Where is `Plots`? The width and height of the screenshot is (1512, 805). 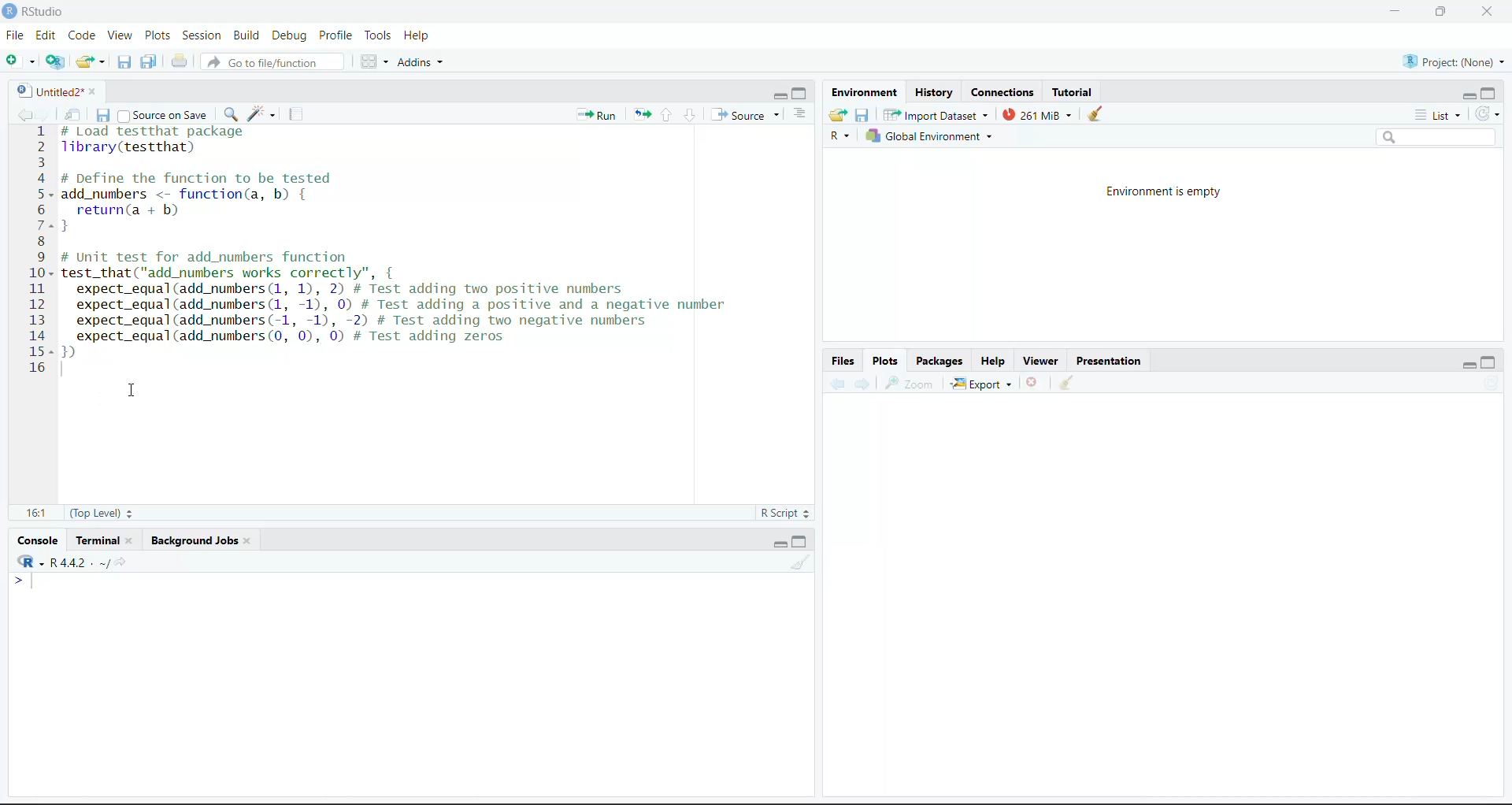 Plots is located at coordinates (157, 35).